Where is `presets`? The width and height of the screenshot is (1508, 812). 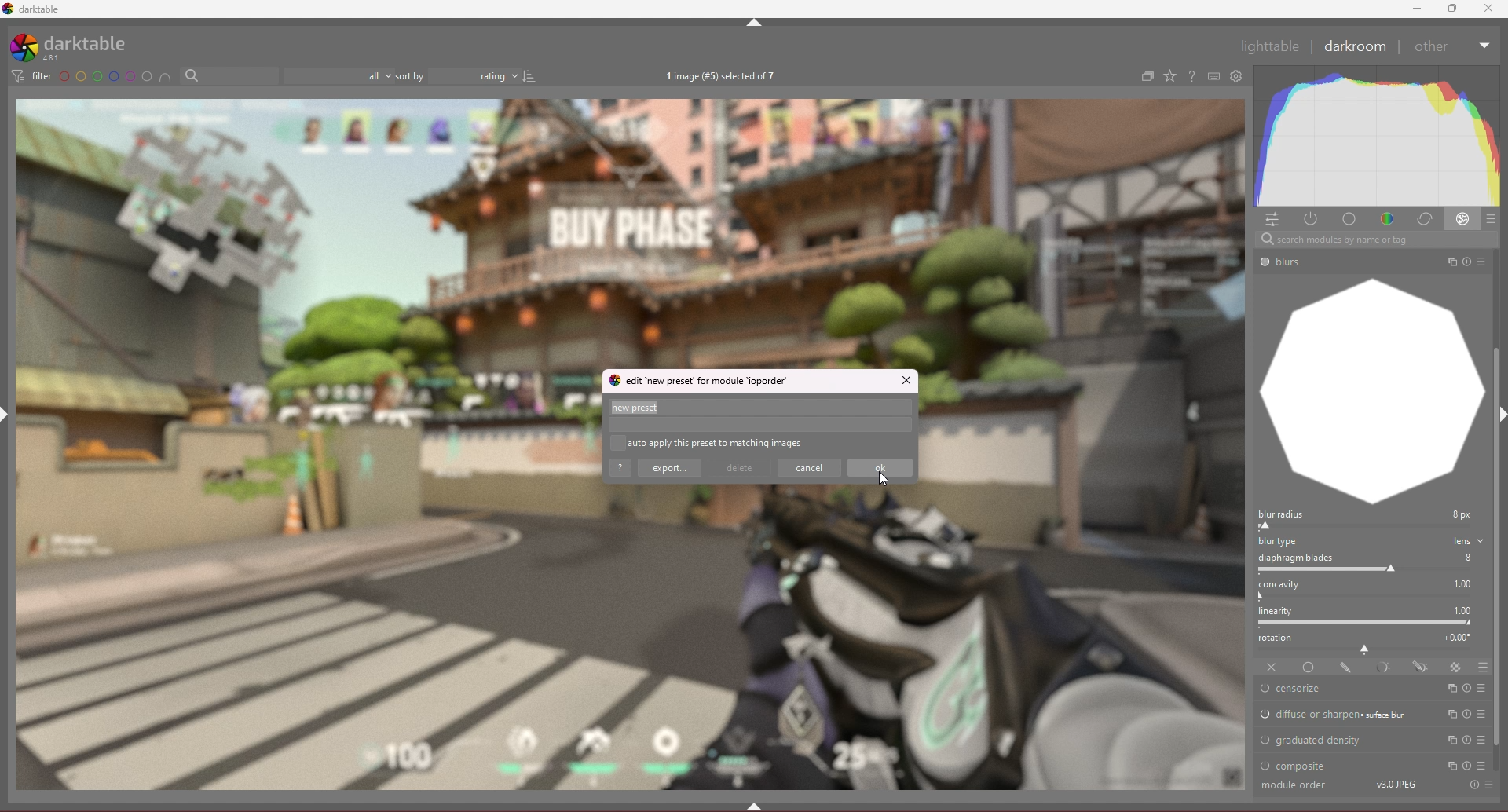 presets is located at coordinates (1482, 689).